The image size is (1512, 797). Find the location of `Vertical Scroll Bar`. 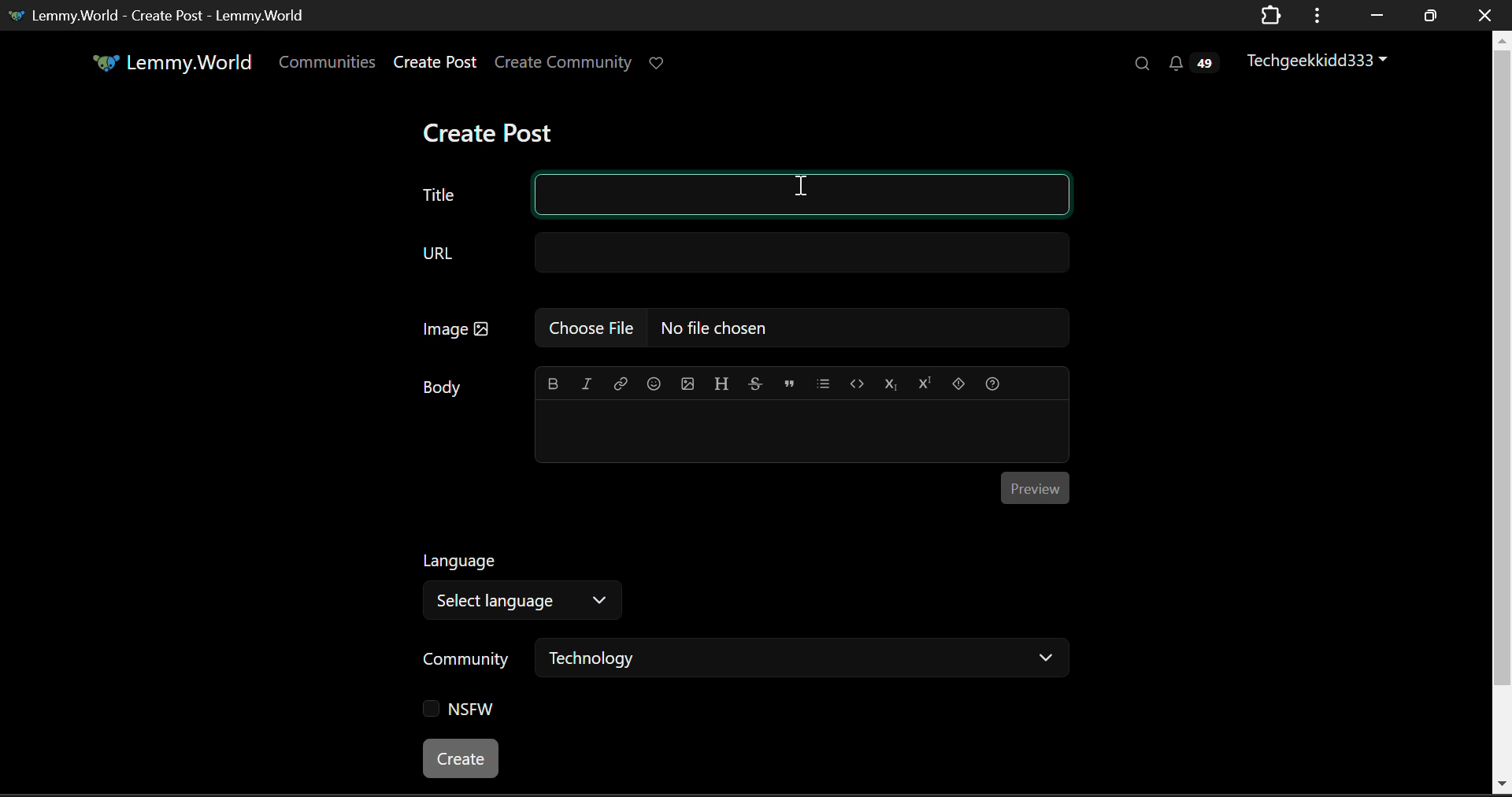

Vertical Scroll Bar is located at coordinates (1503, 413).